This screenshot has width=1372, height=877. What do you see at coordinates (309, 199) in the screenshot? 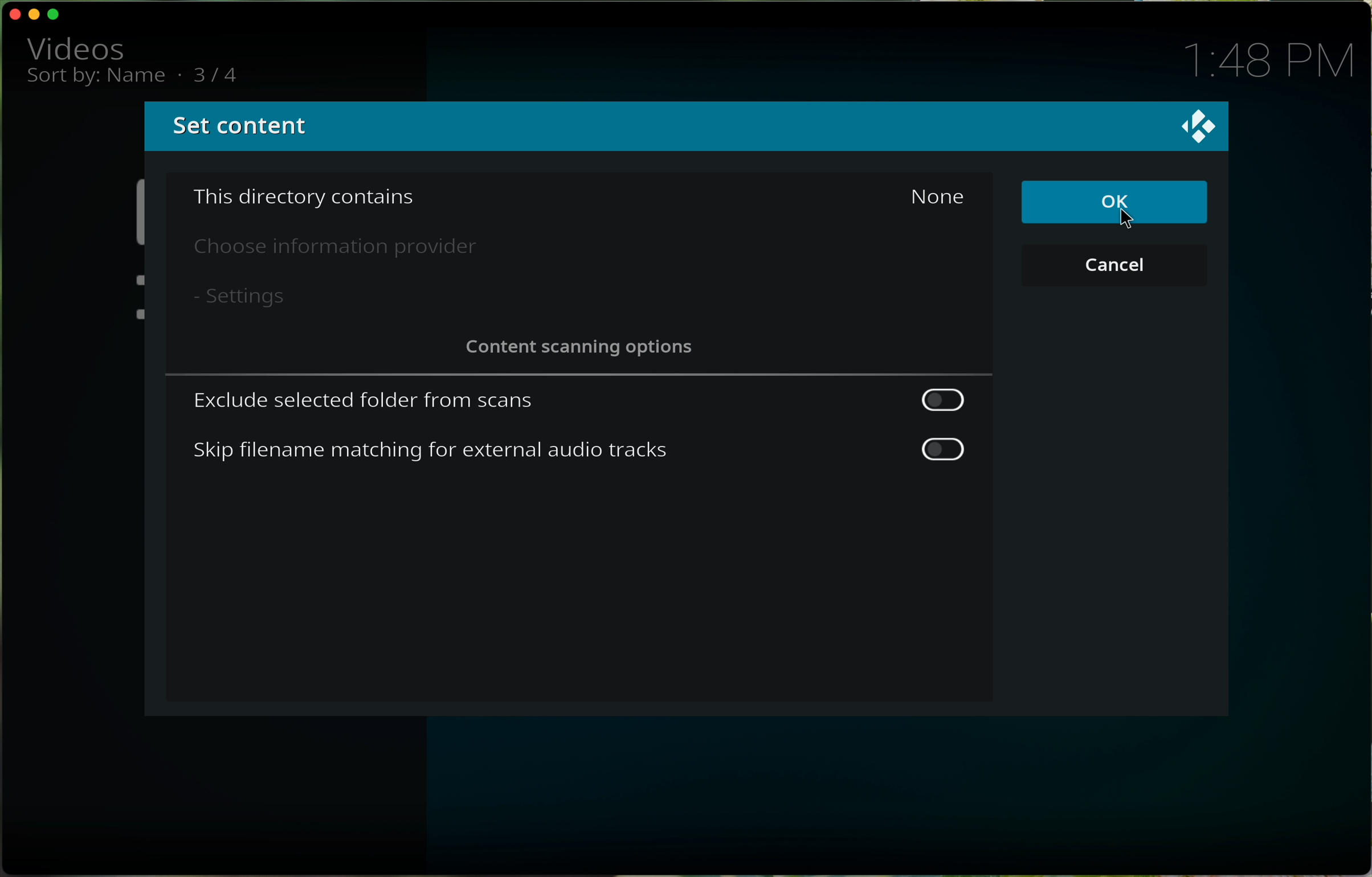
I see `this directory contains` at bounding box center [309, 199].